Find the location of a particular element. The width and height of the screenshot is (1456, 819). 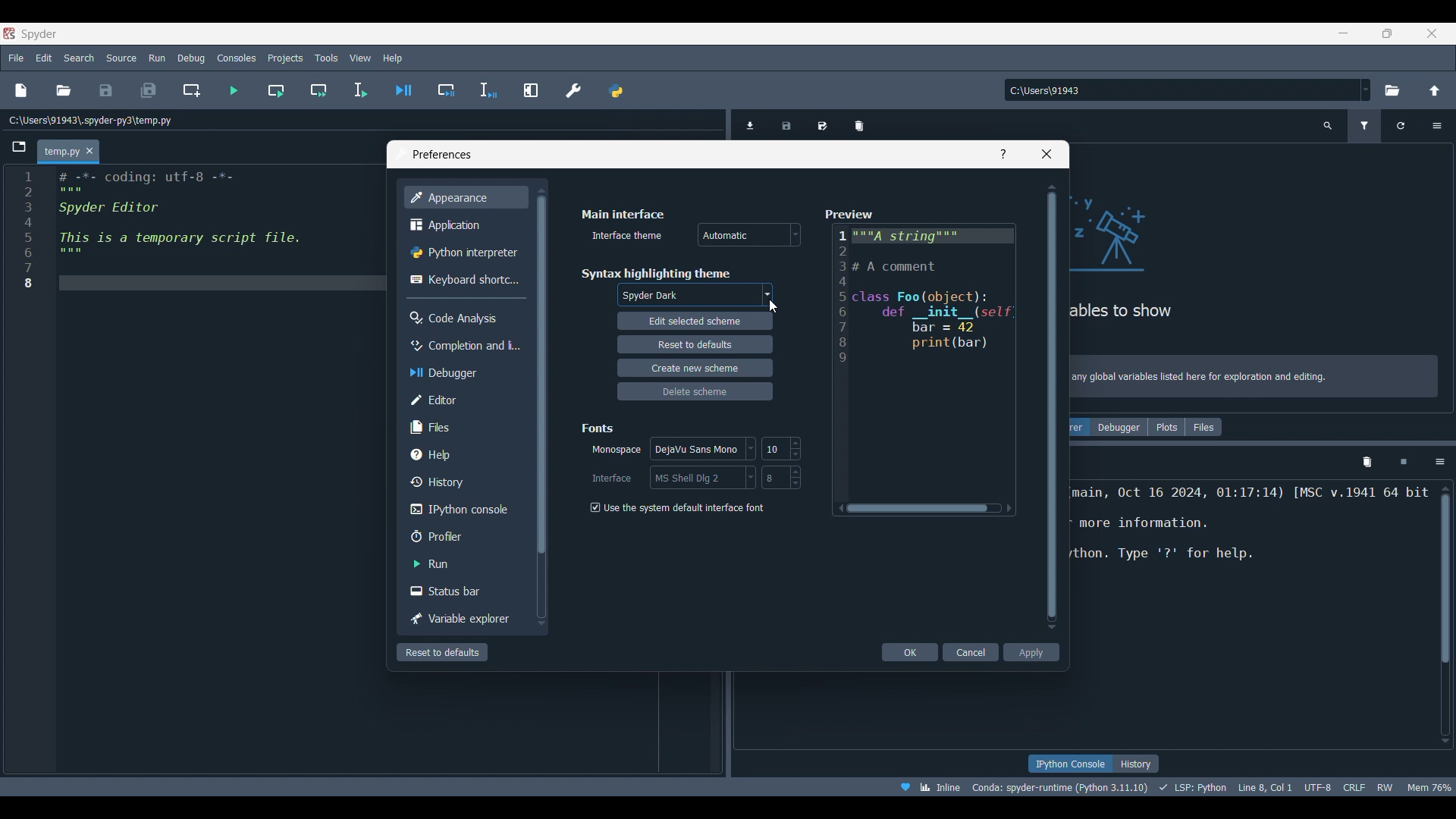

File menu is located at coordinates (17, 58).